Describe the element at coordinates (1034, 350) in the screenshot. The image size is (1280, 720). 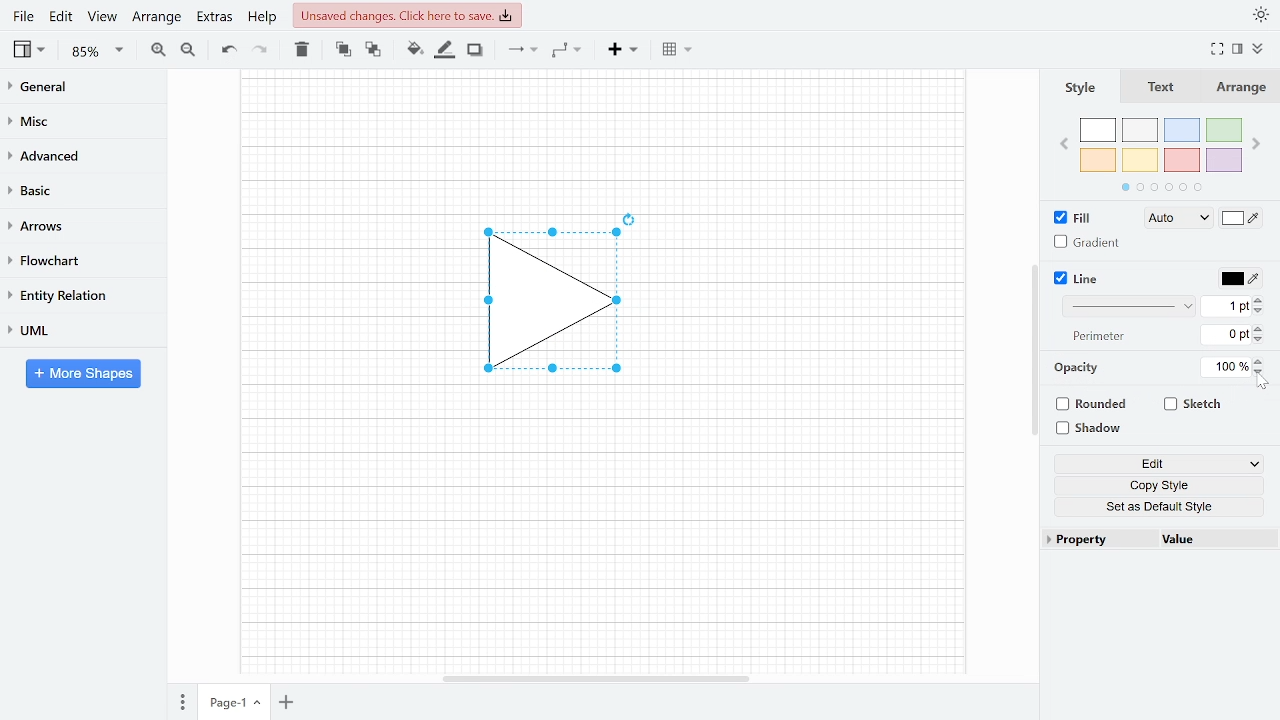
I see `vertical scrollbar` at that location.